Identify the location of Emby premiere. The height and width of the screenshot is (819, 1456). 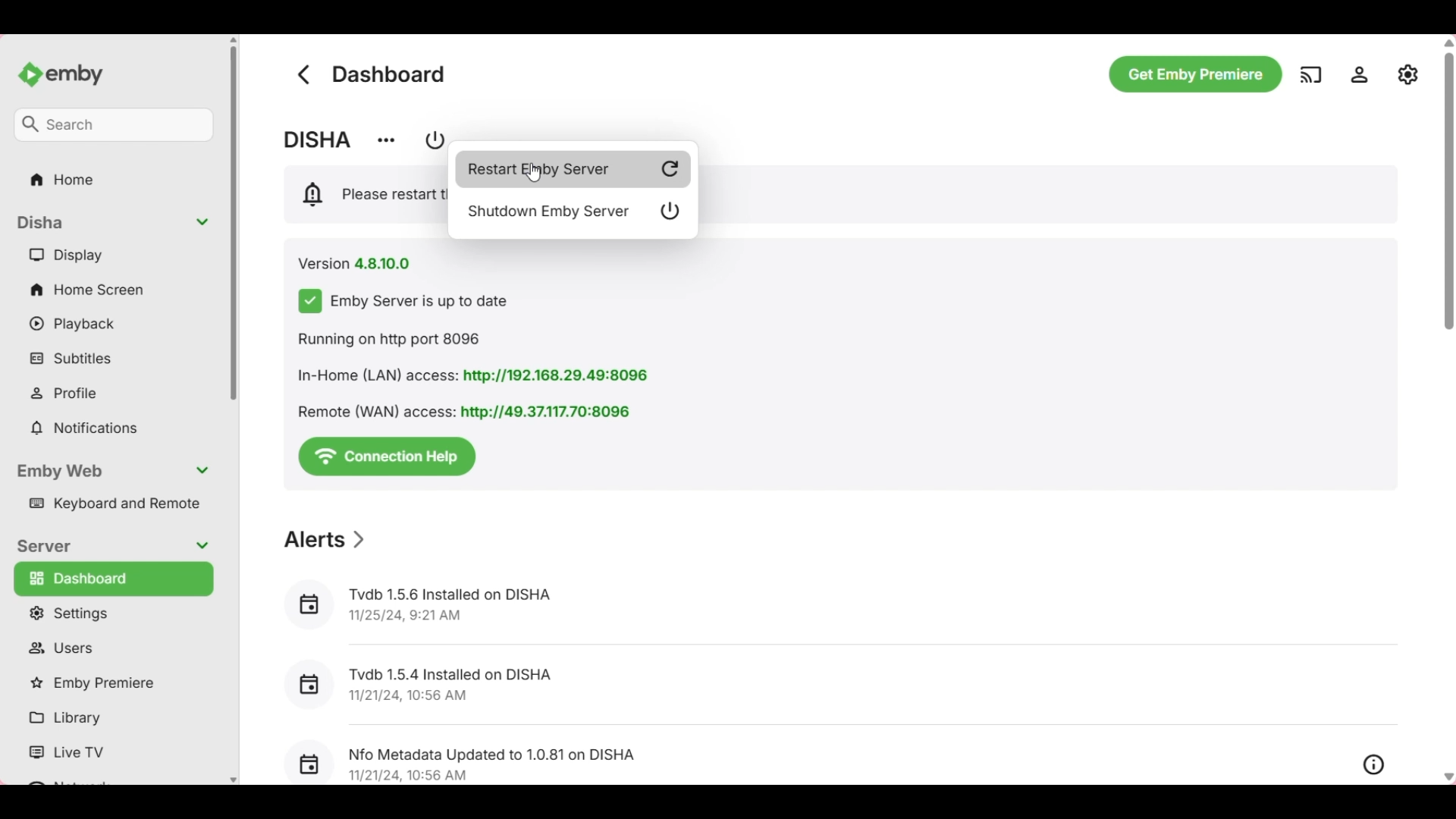
(111, 684).